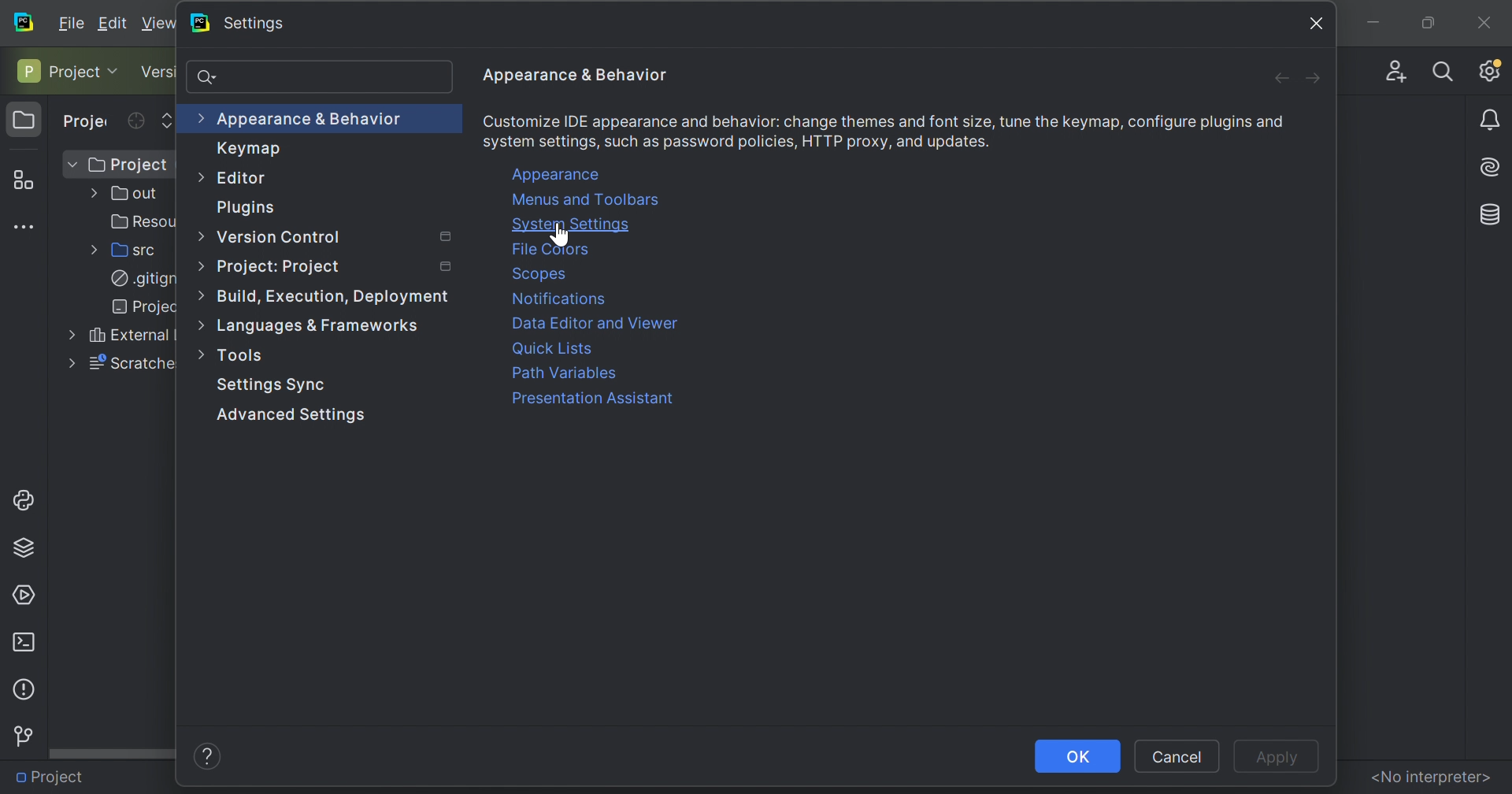 The width and height of the screenshot is (1512, 794). Describe the element at coordinates (246, 354) in the screenshot. I see `Tools` at that location.